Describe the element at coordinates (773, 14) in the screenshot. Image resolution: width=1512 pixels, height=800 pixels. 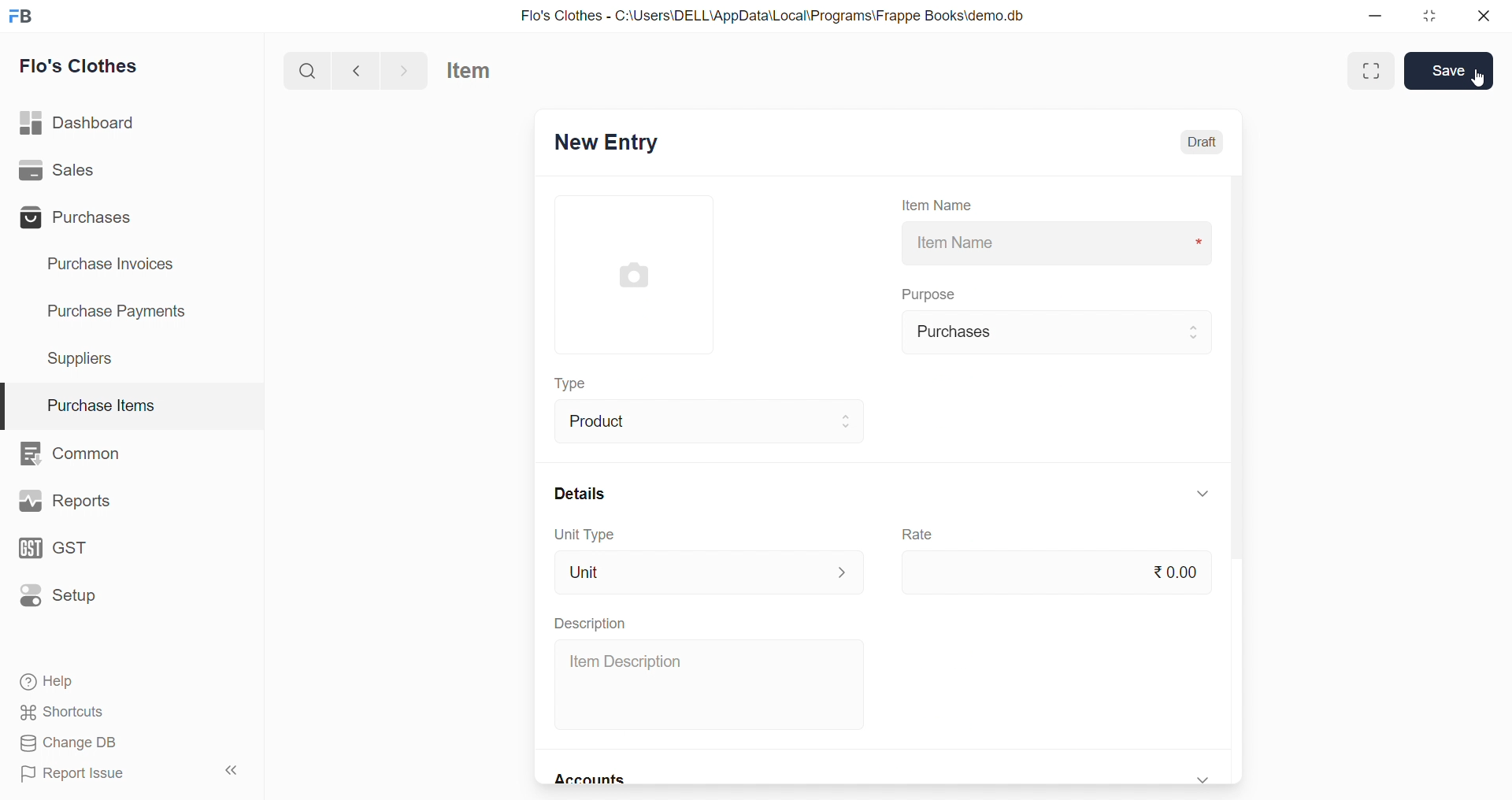
I see `Flo's Clothes - C:\Users\DELL\AppData\Local\Programs\Frappe Books\demo.db` at that location.